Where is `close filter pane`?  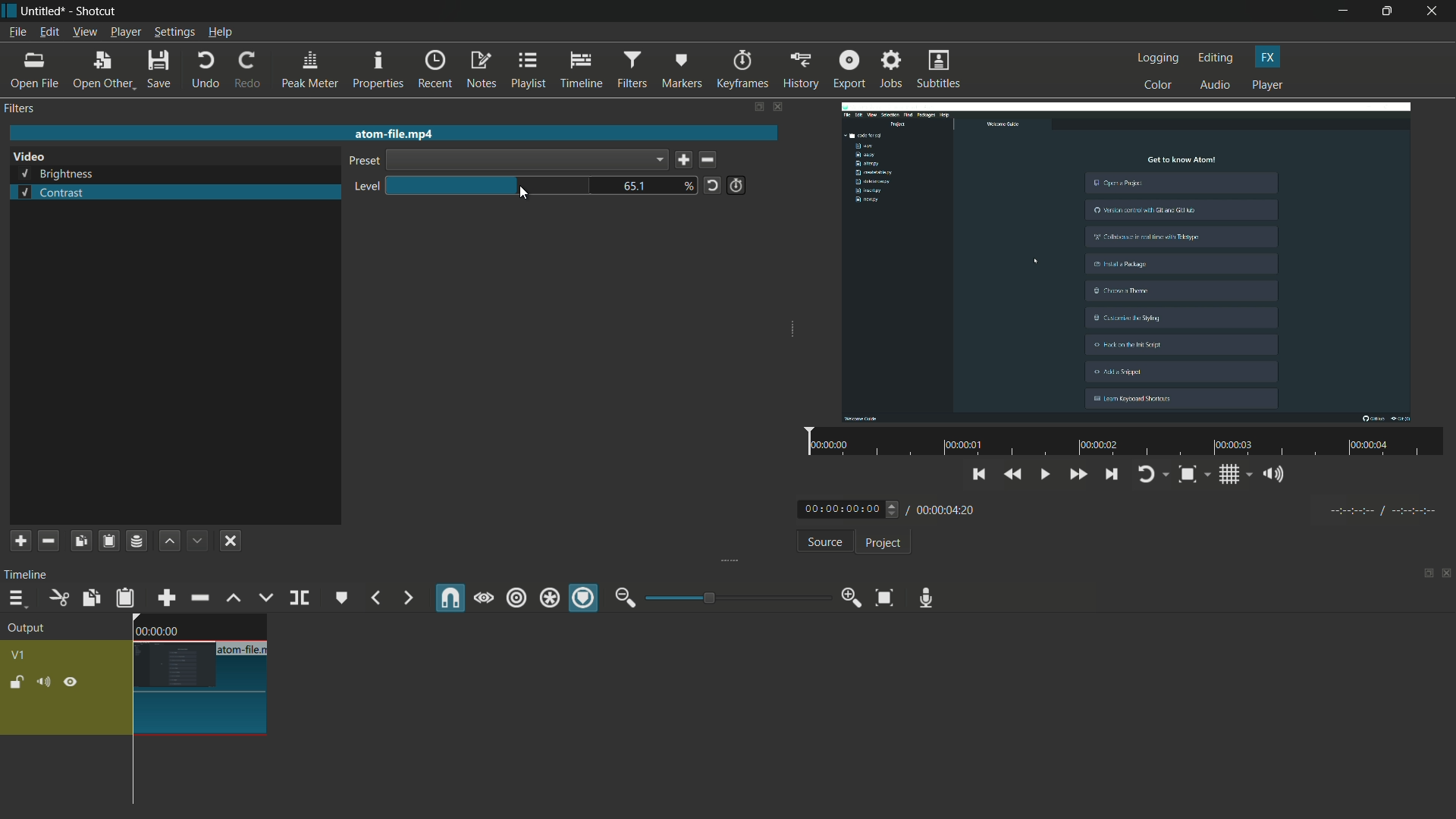 close filter pane is located at coordinates (780, 108).